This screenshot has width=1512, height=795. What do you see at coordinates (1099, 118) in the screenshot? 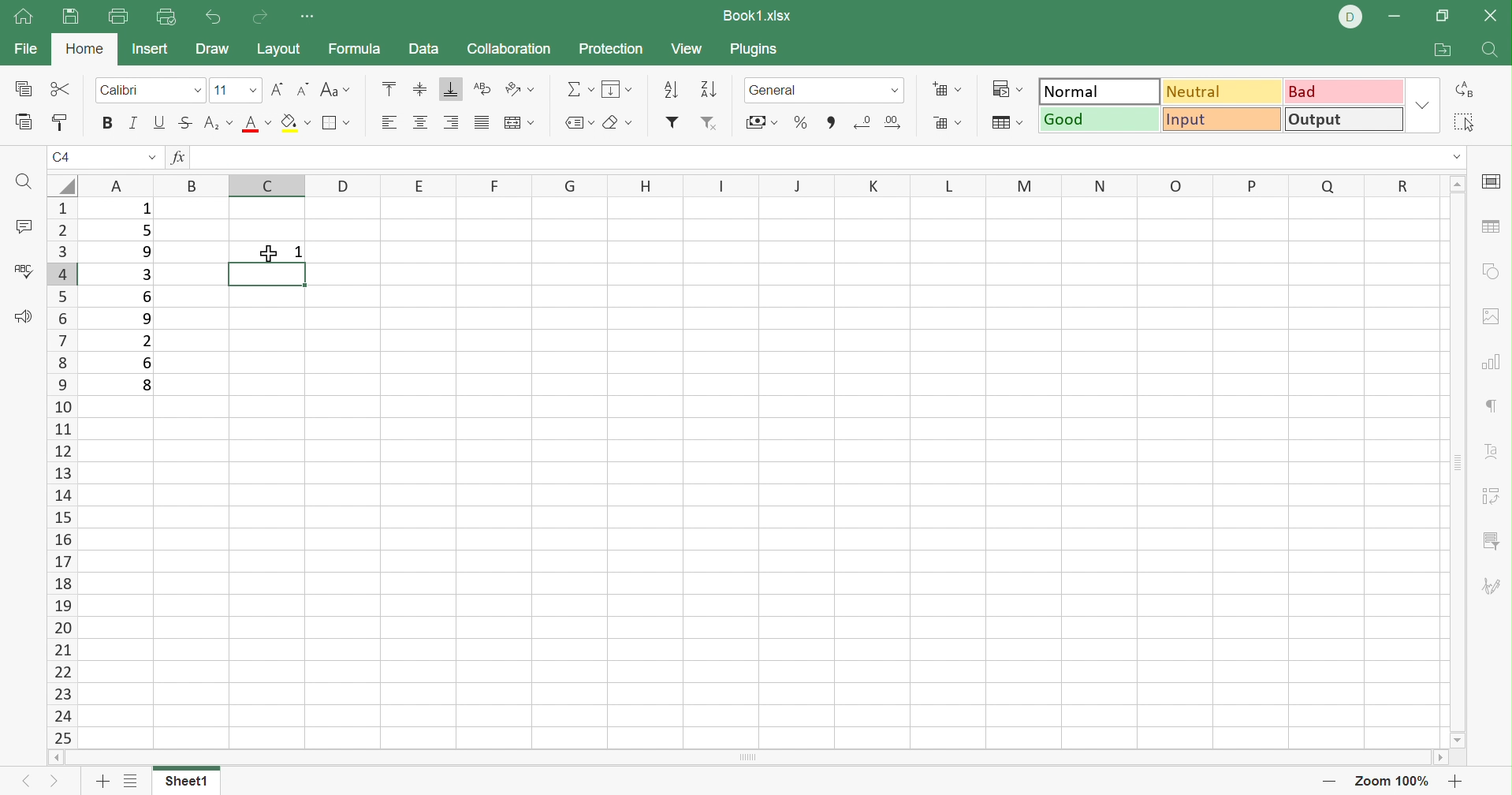
I see `Good` at bounding box center [1099, 118].